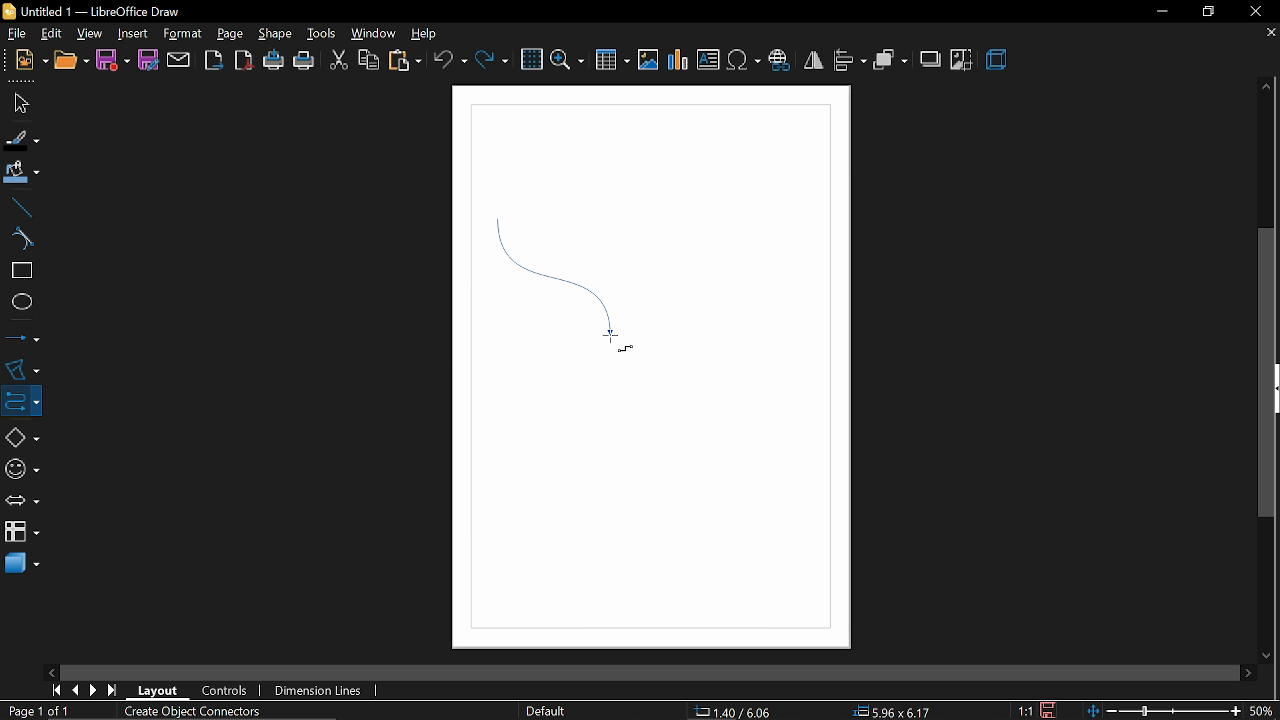 This screenshot has height=720, width=1280. What do you see at coordinates (23, 138) in the screenshot?
I see `fill line` at bounding box center [23, 138].